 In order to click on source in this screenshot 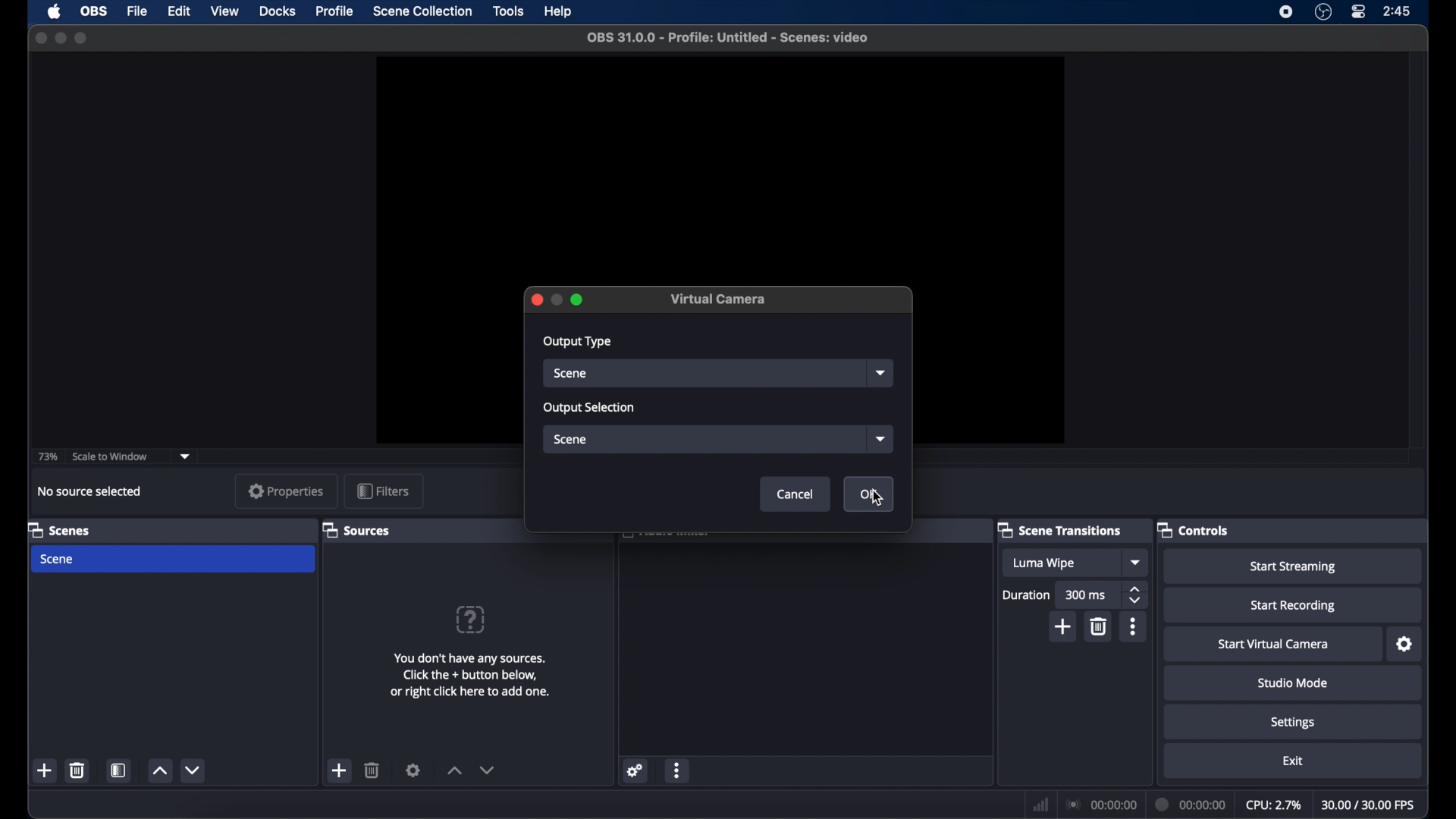, I will do `click(704, 373)`.